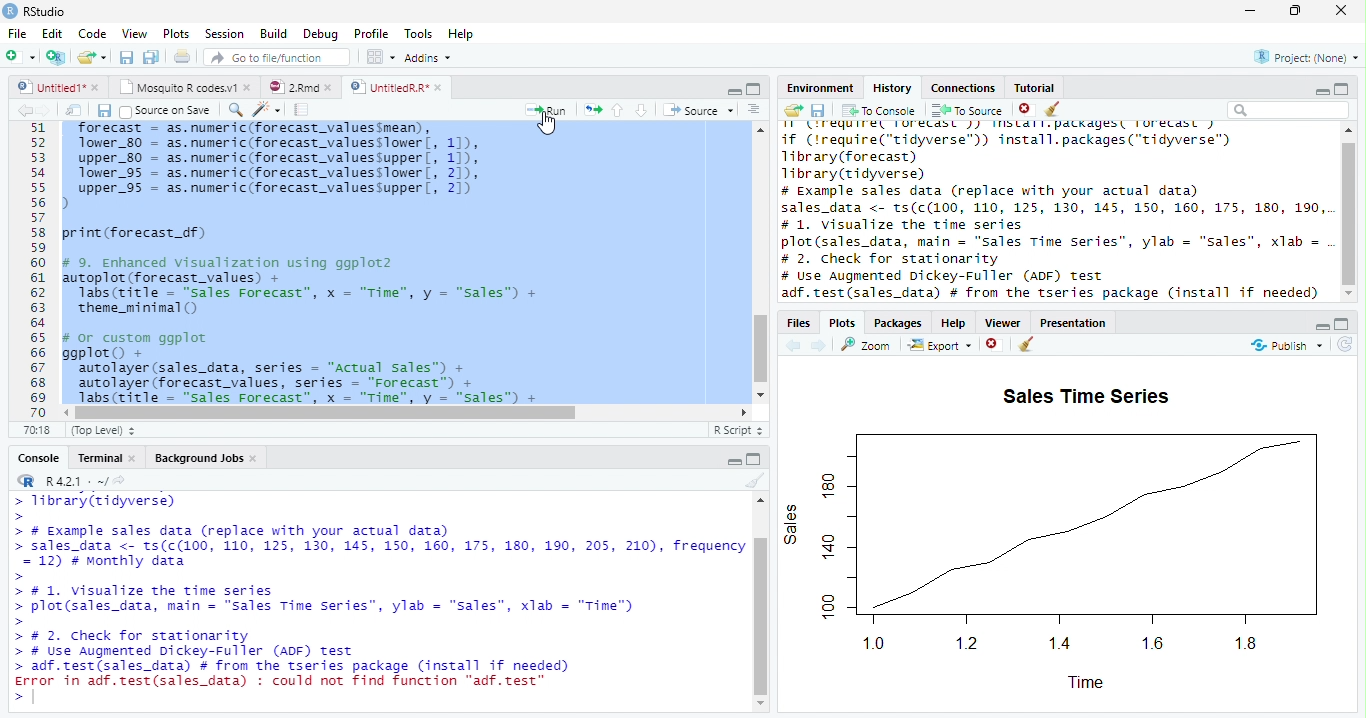 This screenshot has width=1366, height=718. I want to click on Create file, so click(21, 58).